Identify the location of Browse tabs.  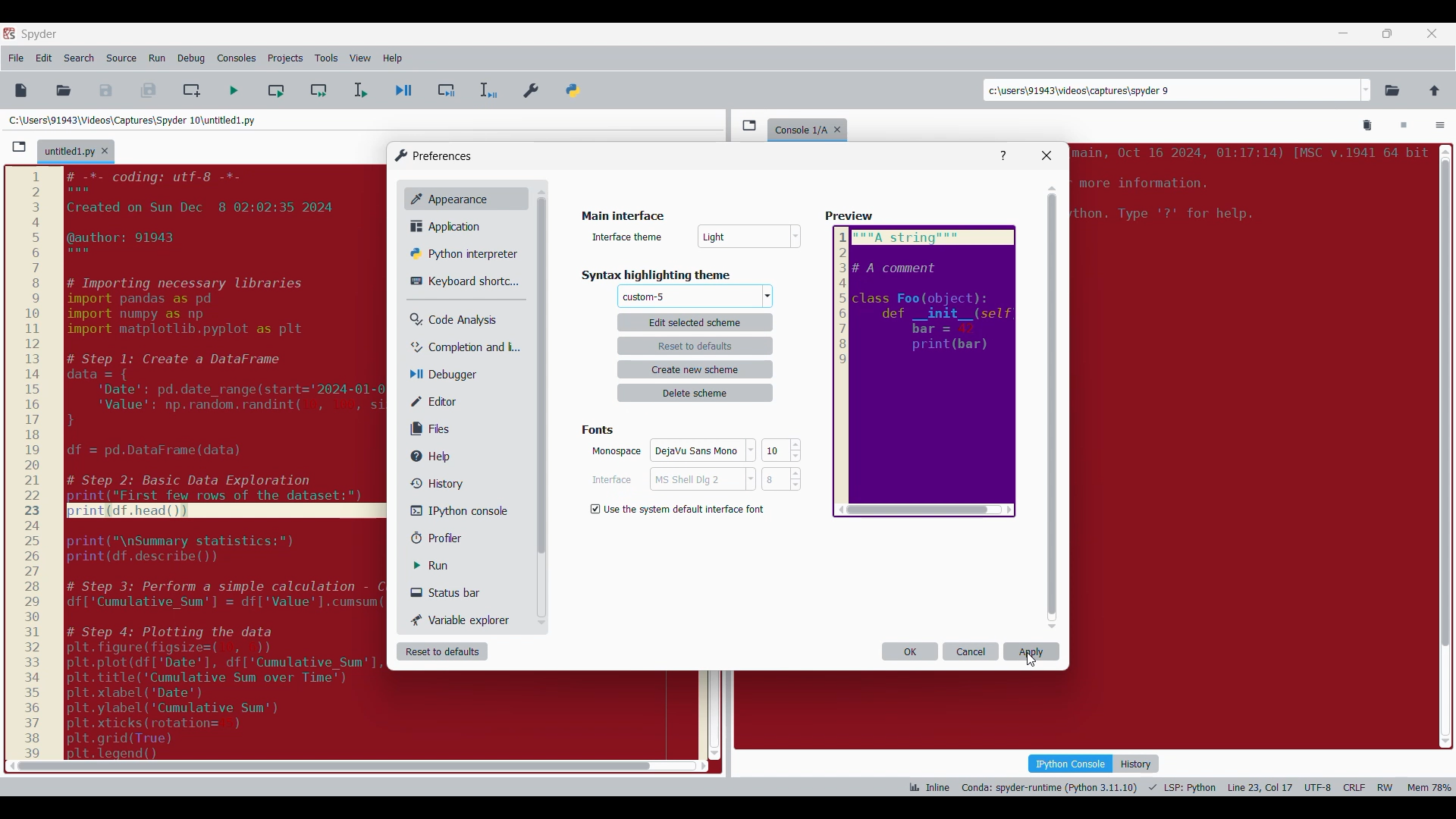
(749, 125).